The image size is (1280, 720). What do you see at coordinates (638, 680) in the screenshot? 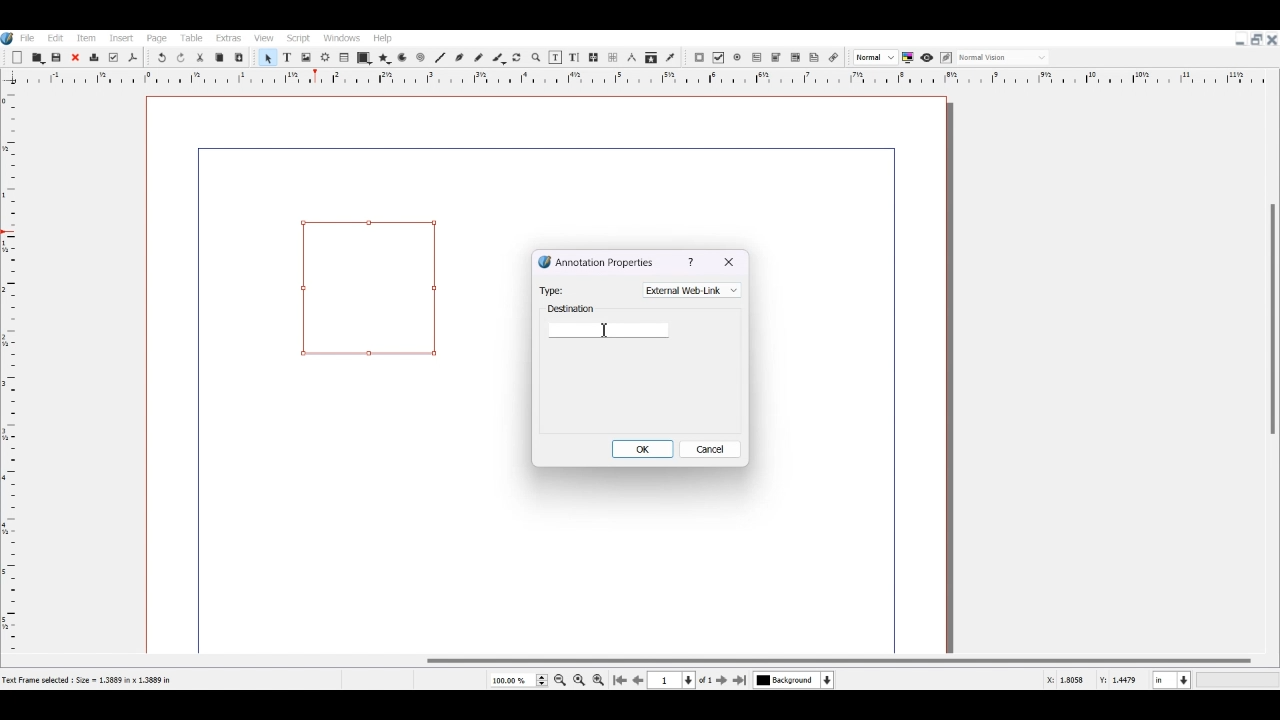
I see `Go to Previous page` at bounding box center [638, 680].